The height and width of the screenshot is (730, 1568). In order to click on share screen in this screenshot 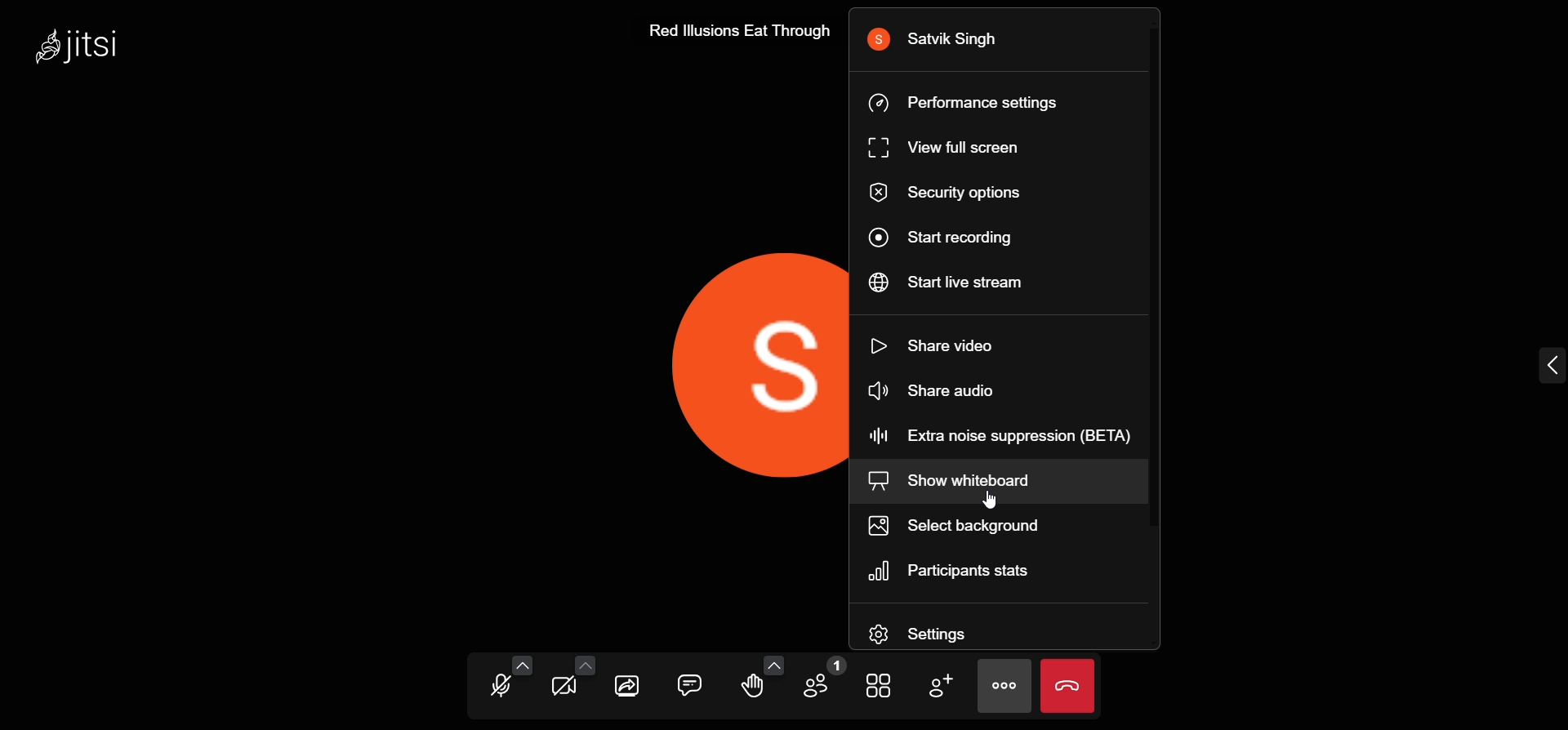, I will do `click(629, 686)`.